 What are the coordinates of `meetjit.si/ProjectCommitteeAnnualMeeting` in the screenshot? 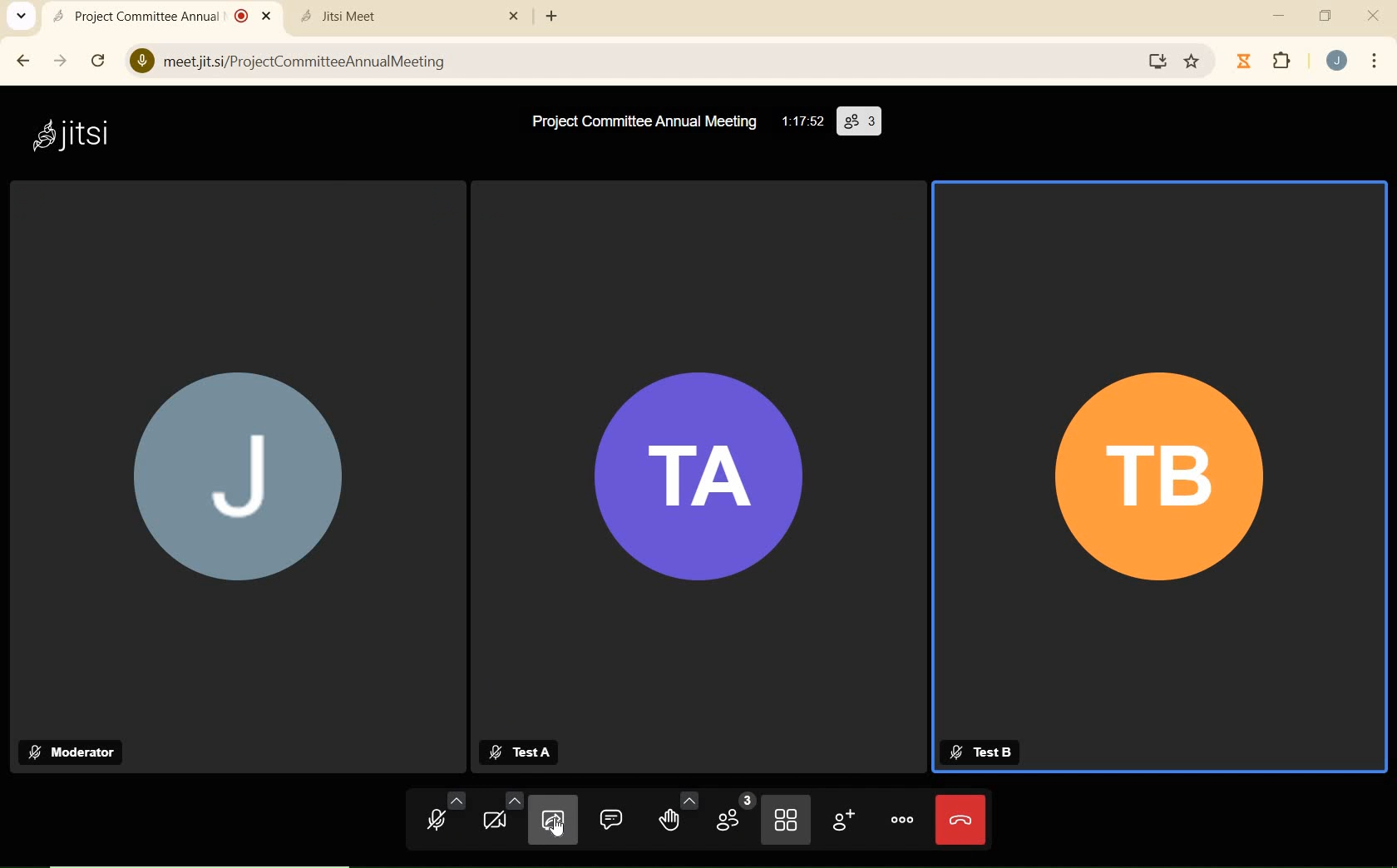 It's located at (624, 60).